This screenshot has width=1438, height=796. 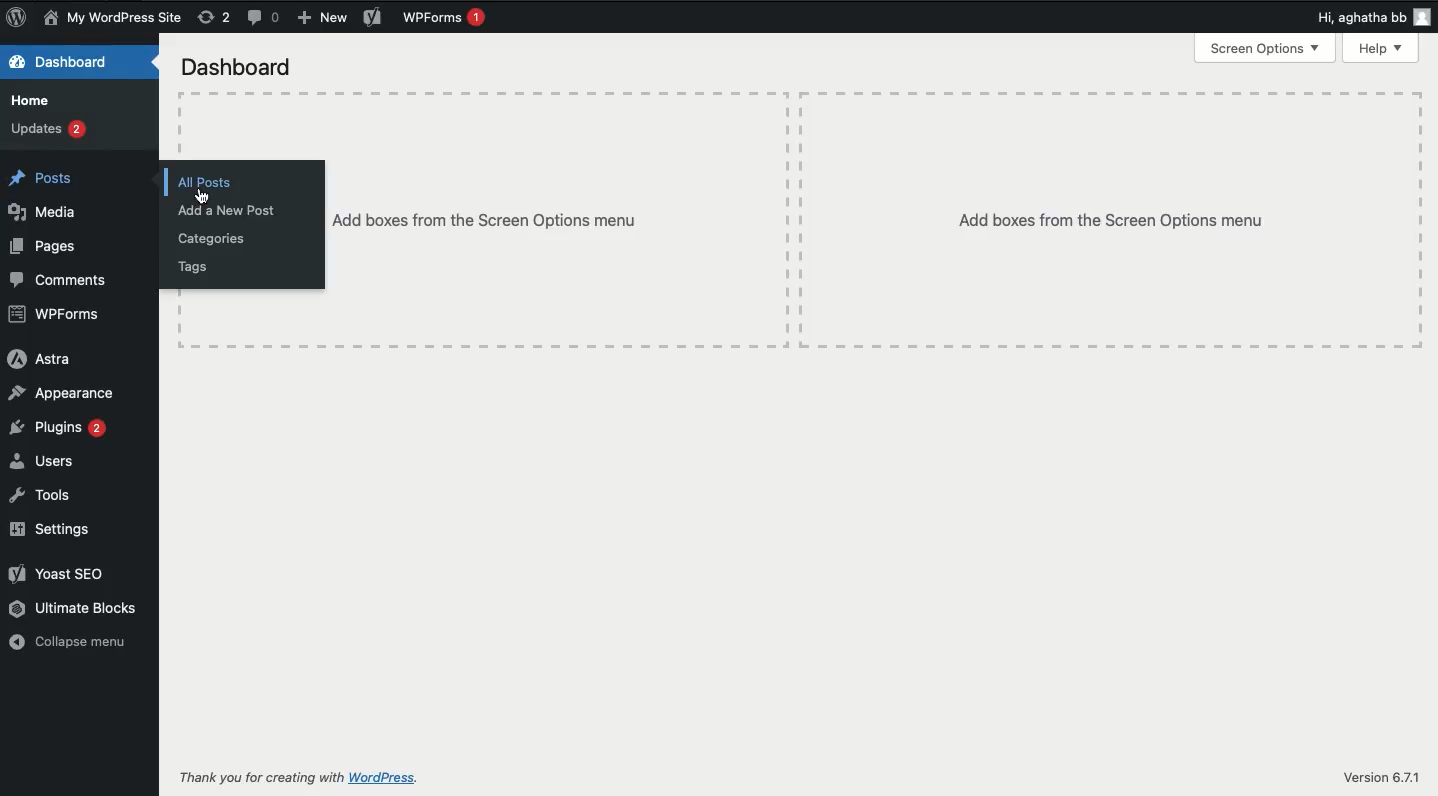 What do you see at coordinates (209, 183) in the screenshot?
I see `All posts` at bounding box center [209, 183].